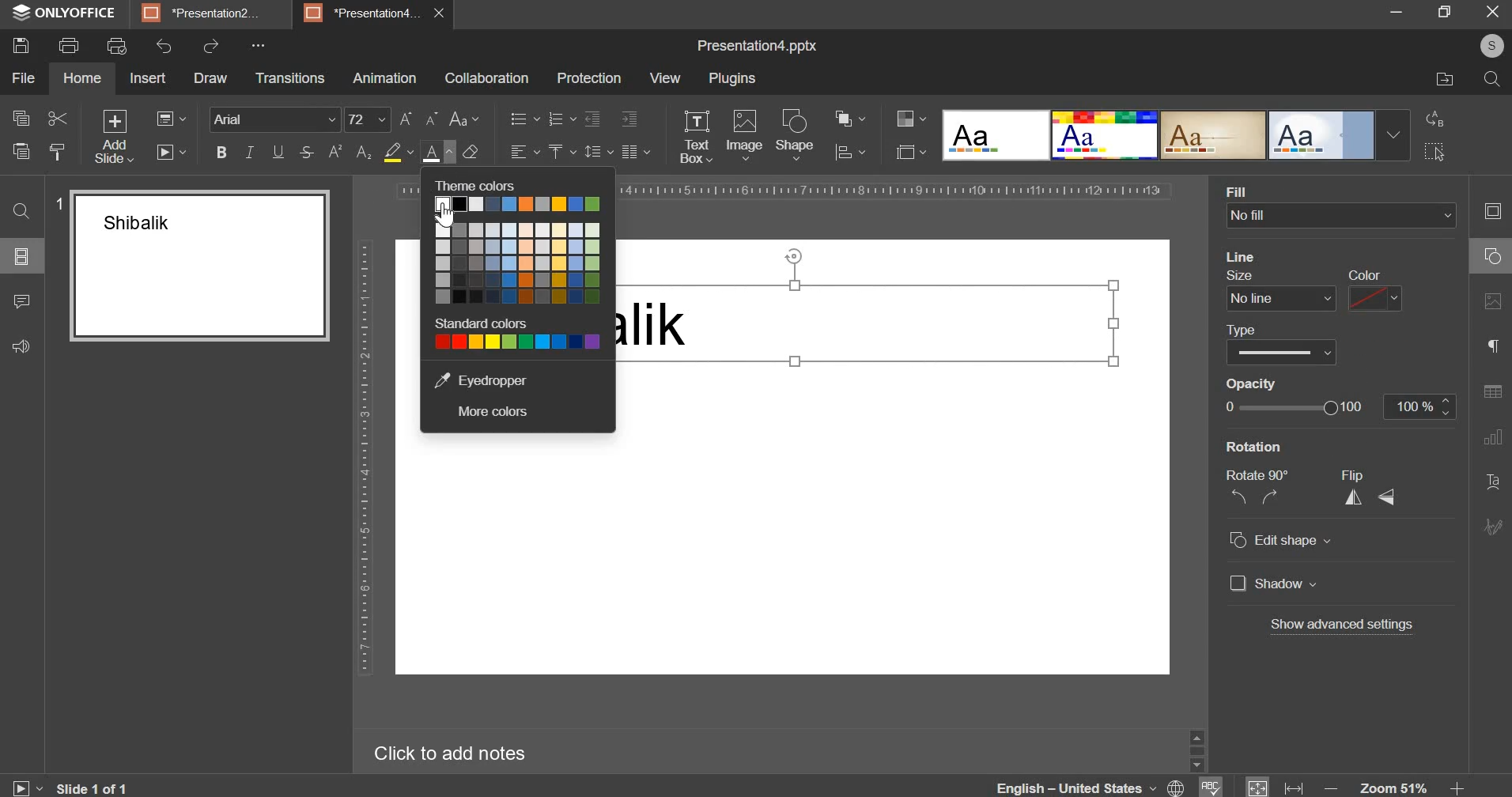 Image resolution: width=1512 pixels, height=797 pixels. I want to click on File, so click(1436, 81).